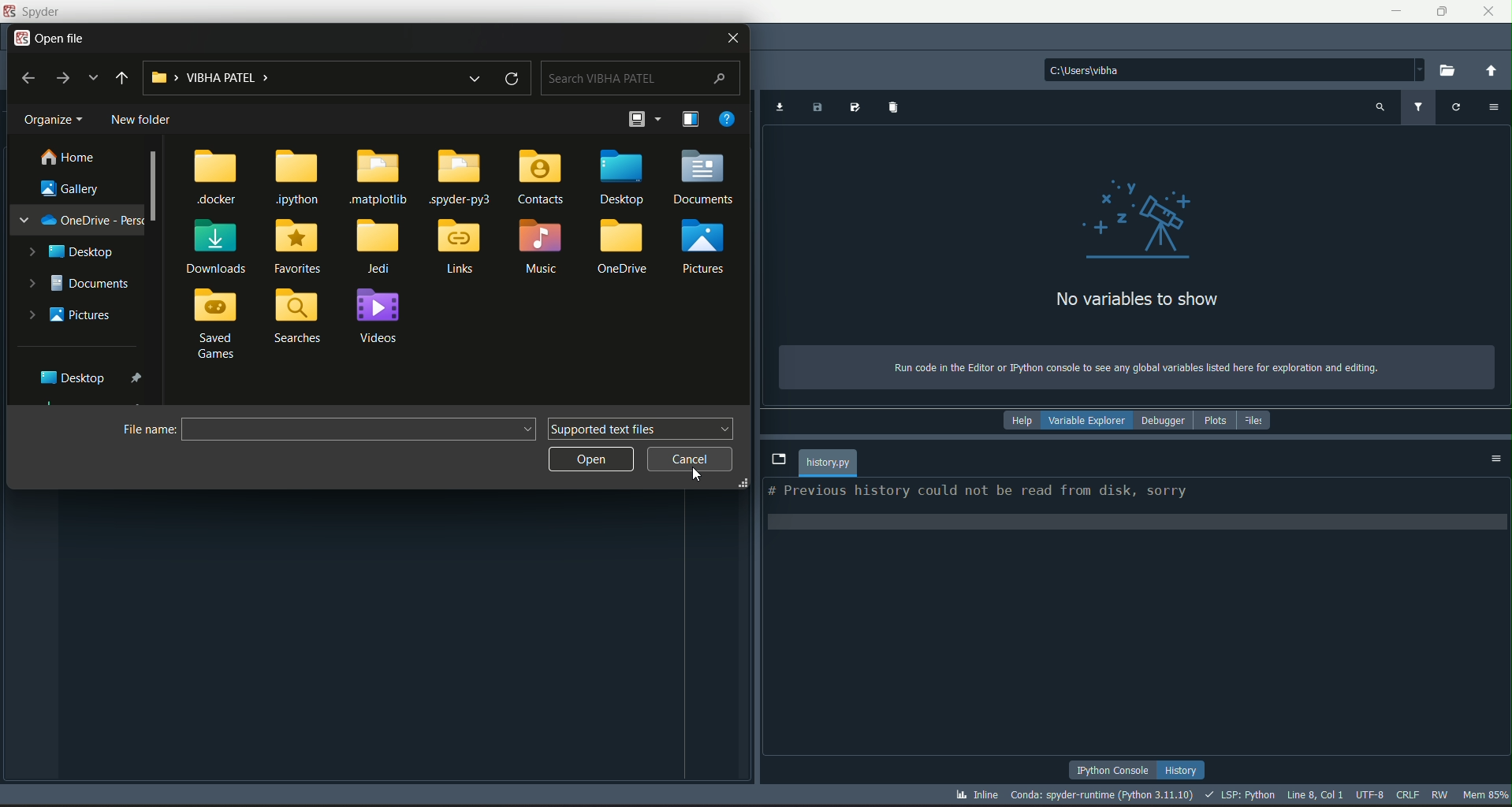 The height and width of the screenshot is (807, 1512). What do you see at coordinates (122, 78) in the screenshot?
I see `upto desktop` at bounding box center [122, 78].